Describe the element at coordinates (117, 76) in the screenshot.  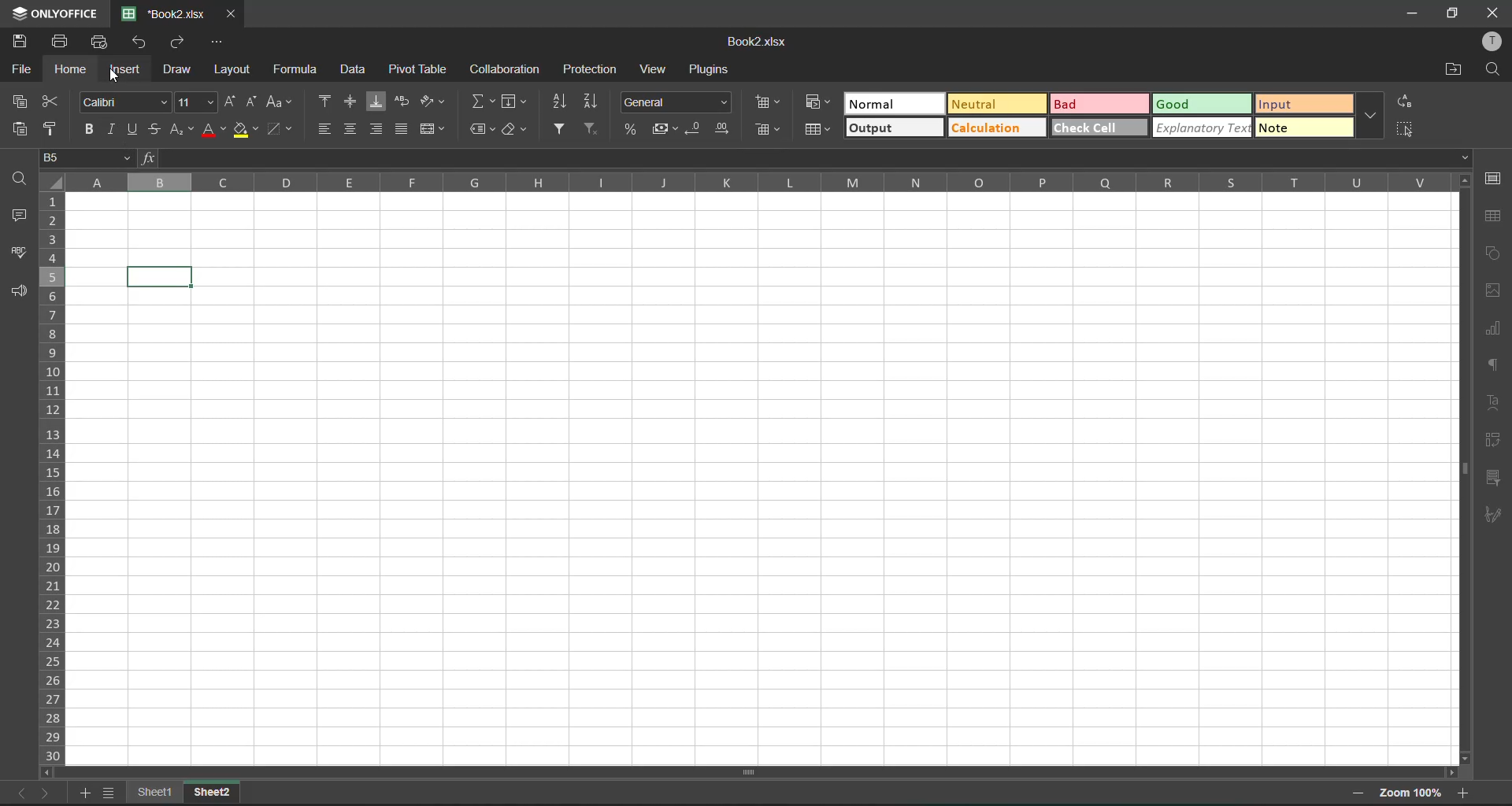
I see `cursor` at that location.